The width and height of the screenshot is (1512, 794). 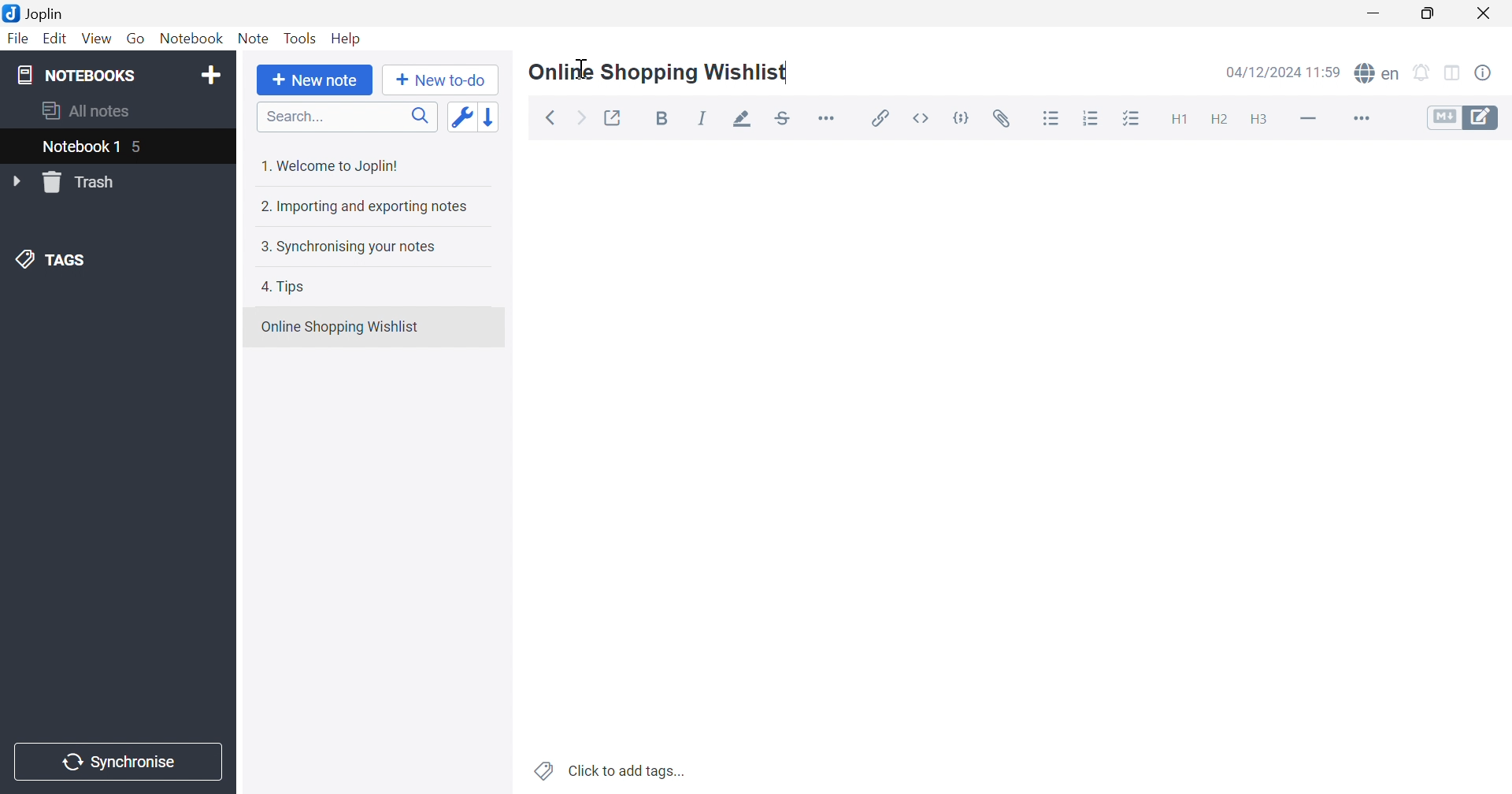 I want to click on All notes, so click(x=89, y=113).